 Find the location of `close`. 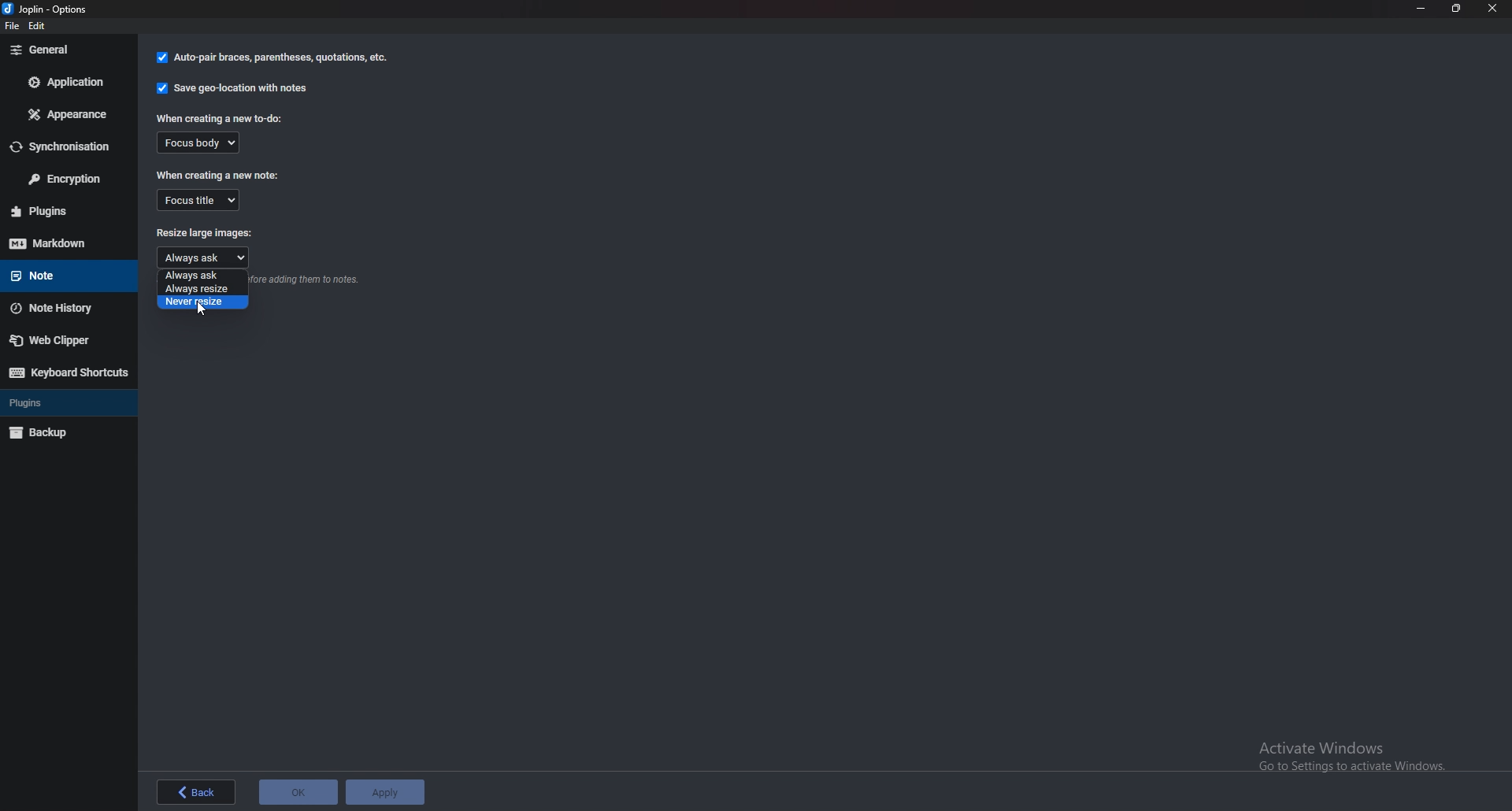

close is located at coordinates (1493, 9).